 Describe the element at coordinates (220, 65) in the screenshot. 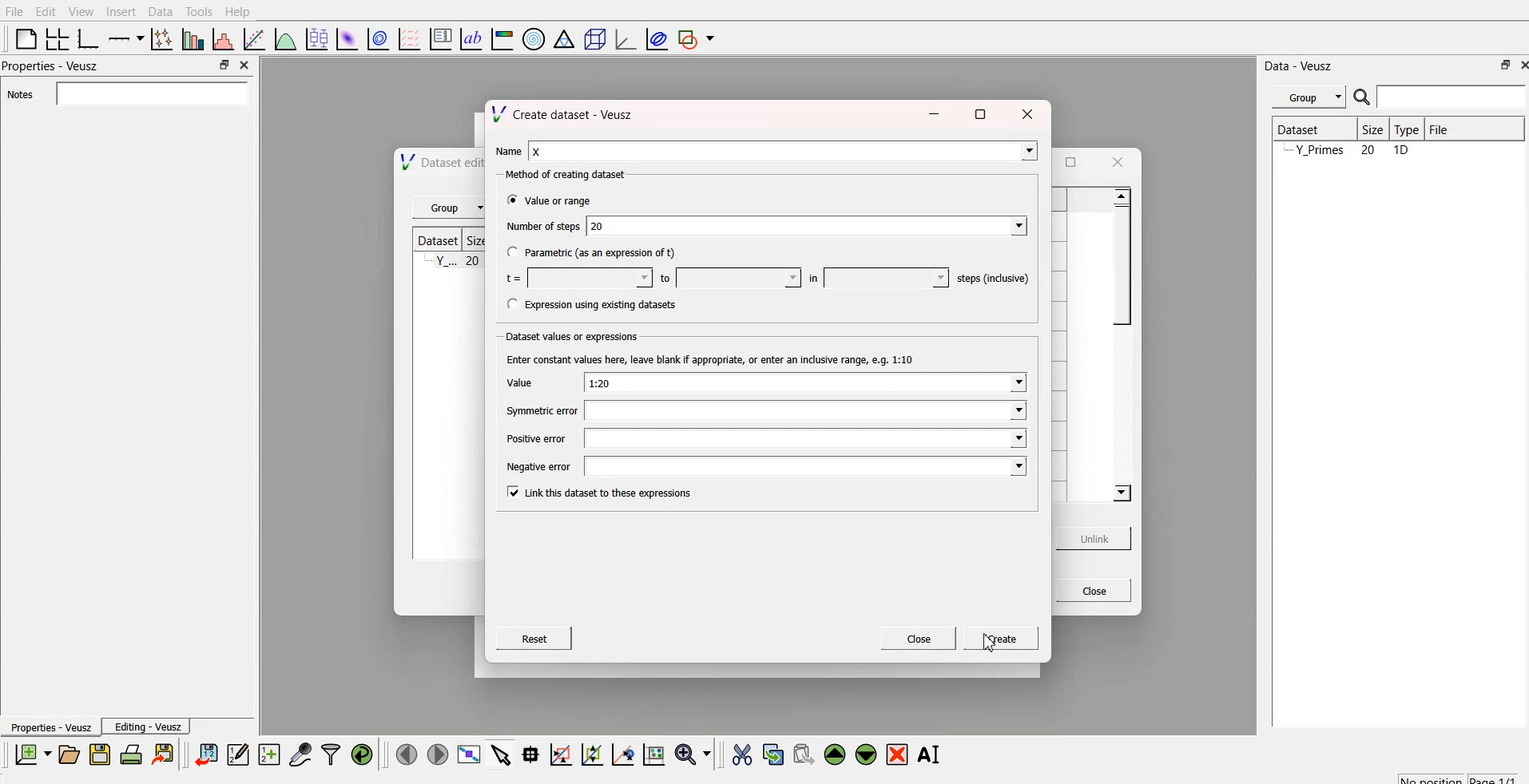

I see `maximize` at that location.